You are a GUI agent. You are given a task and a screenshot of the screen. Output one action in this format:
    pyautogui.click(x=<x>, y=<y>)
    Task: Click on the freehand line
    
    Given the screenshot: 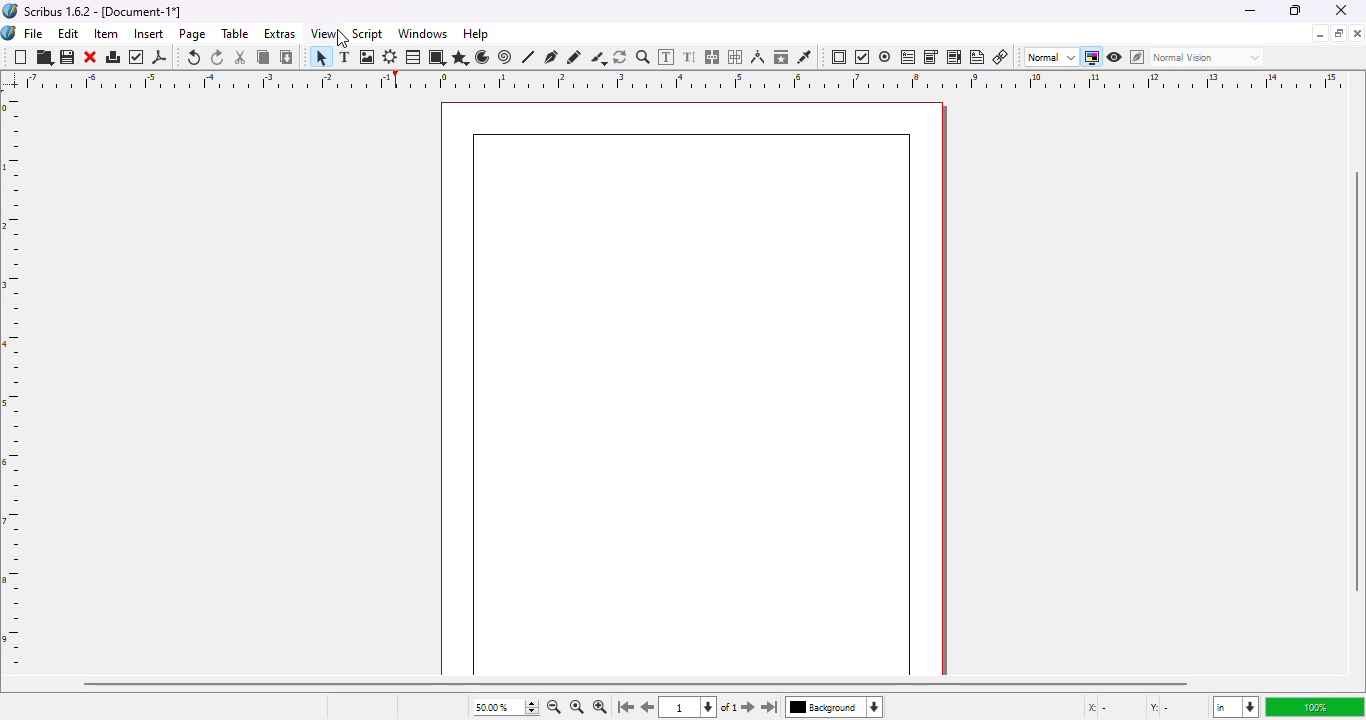 What is the action you would take?
    pyautogui.click(x=574, y=57)
    